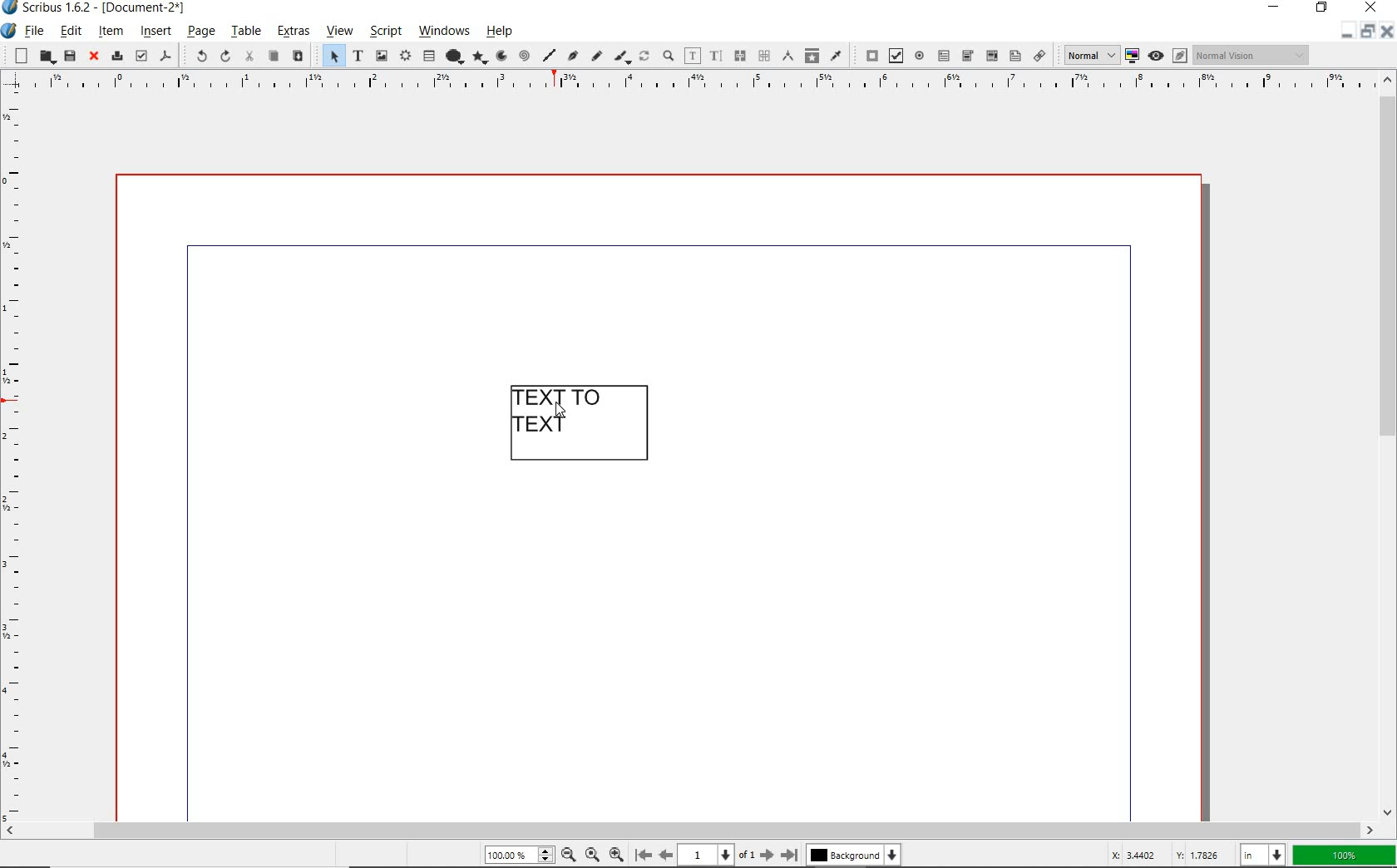 This screenshot has width=1397, height=868. What do you see at coordinates (643, 856) in the screenshot?
I see `move to first` at bounding box center [643, 856].